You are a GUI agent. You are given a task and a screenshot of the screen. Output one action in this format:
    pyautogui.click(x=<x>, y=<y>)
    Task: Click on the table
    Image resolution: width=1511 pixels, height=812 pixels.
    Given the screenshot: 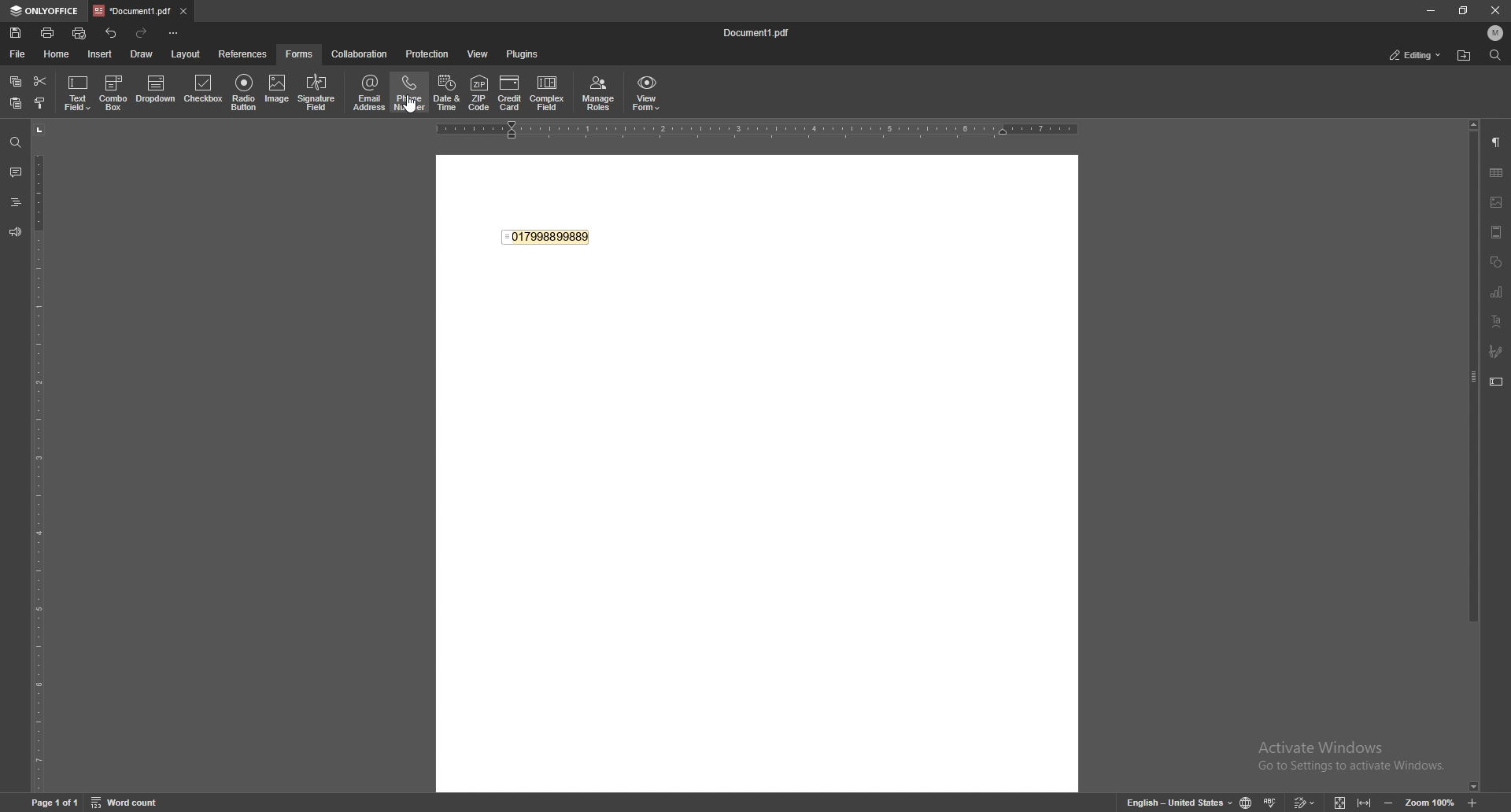 What is the action you would take?
    pyautogui.click(x=1497, y=174)
    